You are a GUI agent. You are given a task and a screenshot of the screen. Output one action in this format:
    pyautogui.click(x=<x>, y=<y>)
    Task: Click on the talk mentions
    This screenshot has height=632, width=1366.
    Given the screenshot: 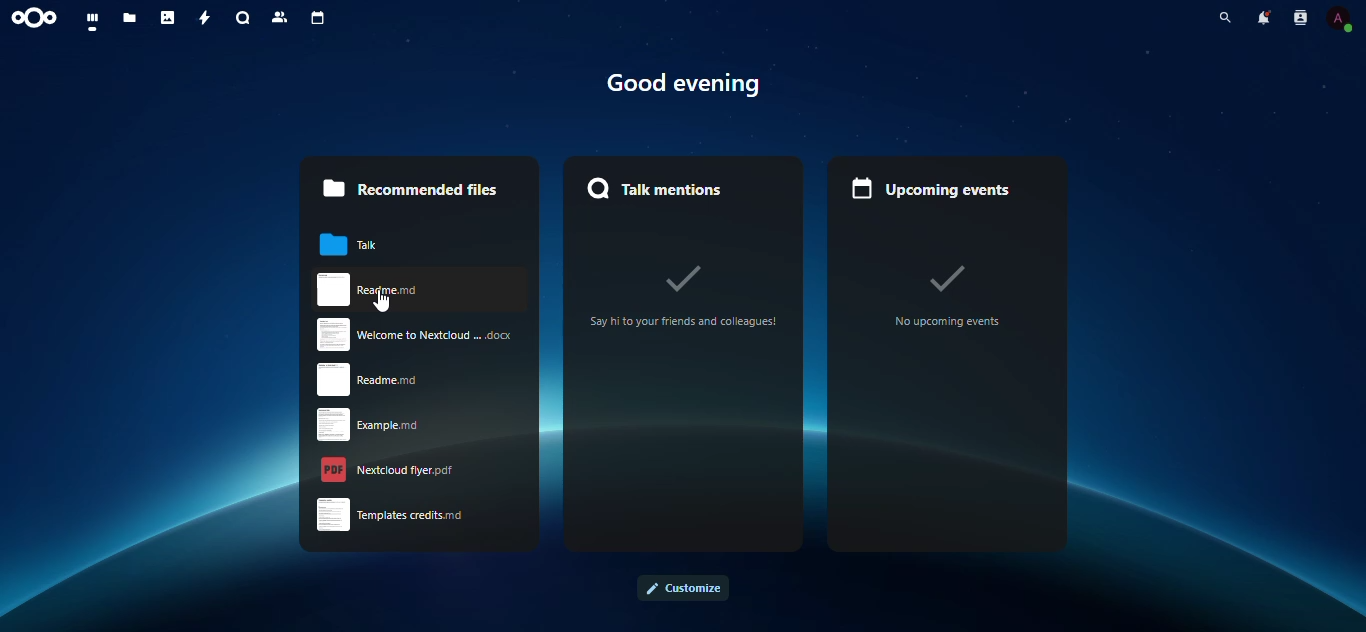 What is the action you would take?
    pyautogui.click(x=667, y=186)
    